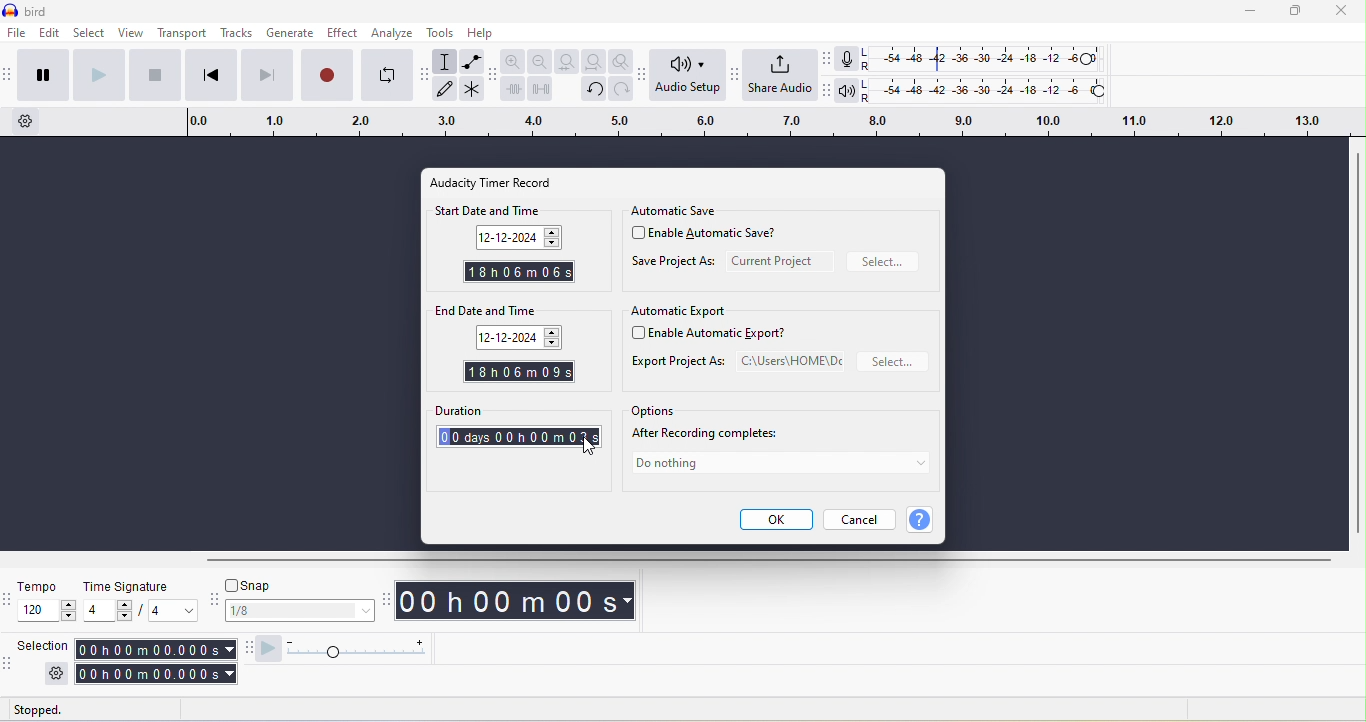  I want to click on zoom out, so click(540, 62).